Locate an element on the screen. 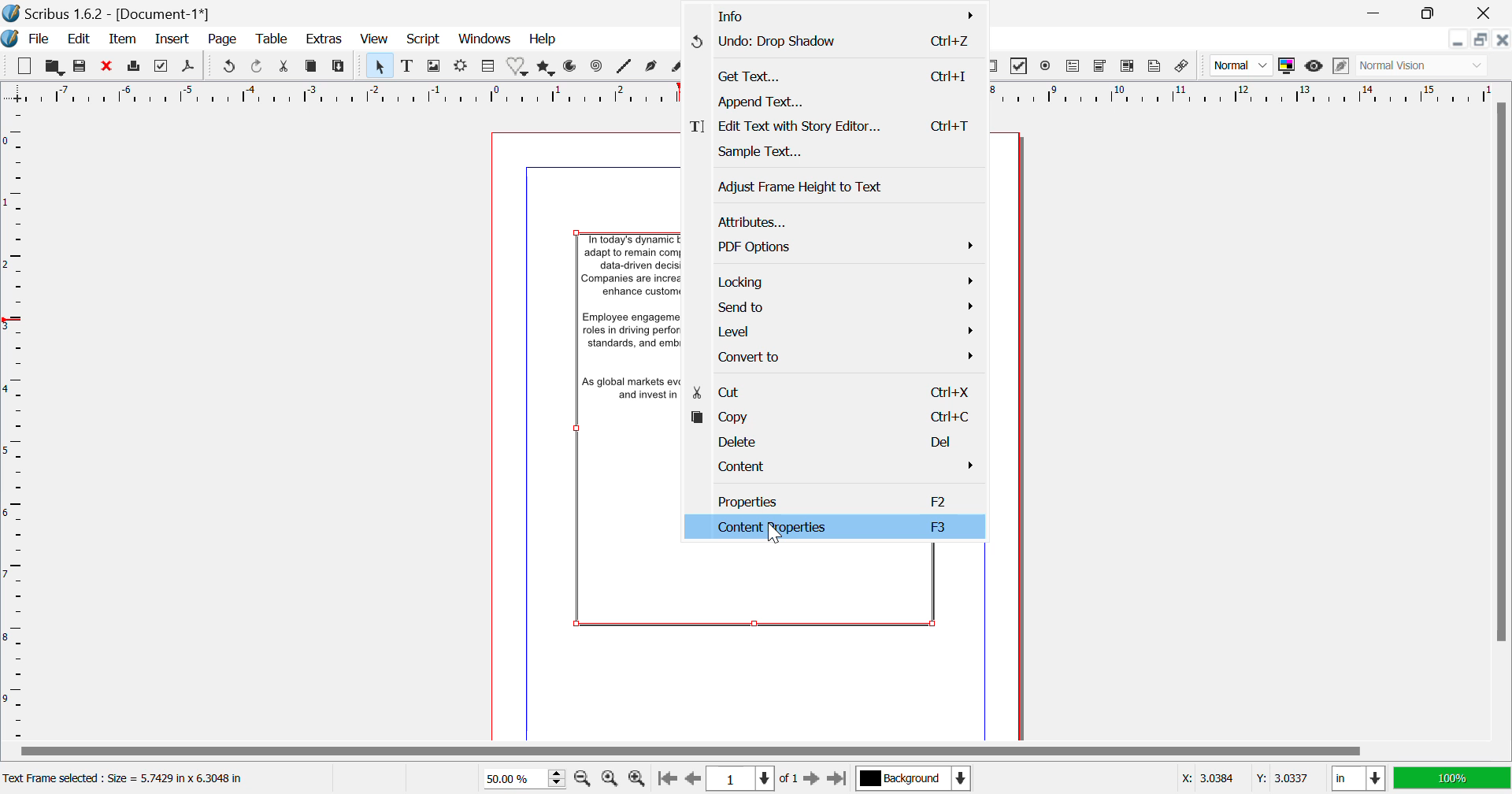 Image resolution: width=1512 pixels, height=794 pixels. Sample Text is located at coordinates (841, 154).